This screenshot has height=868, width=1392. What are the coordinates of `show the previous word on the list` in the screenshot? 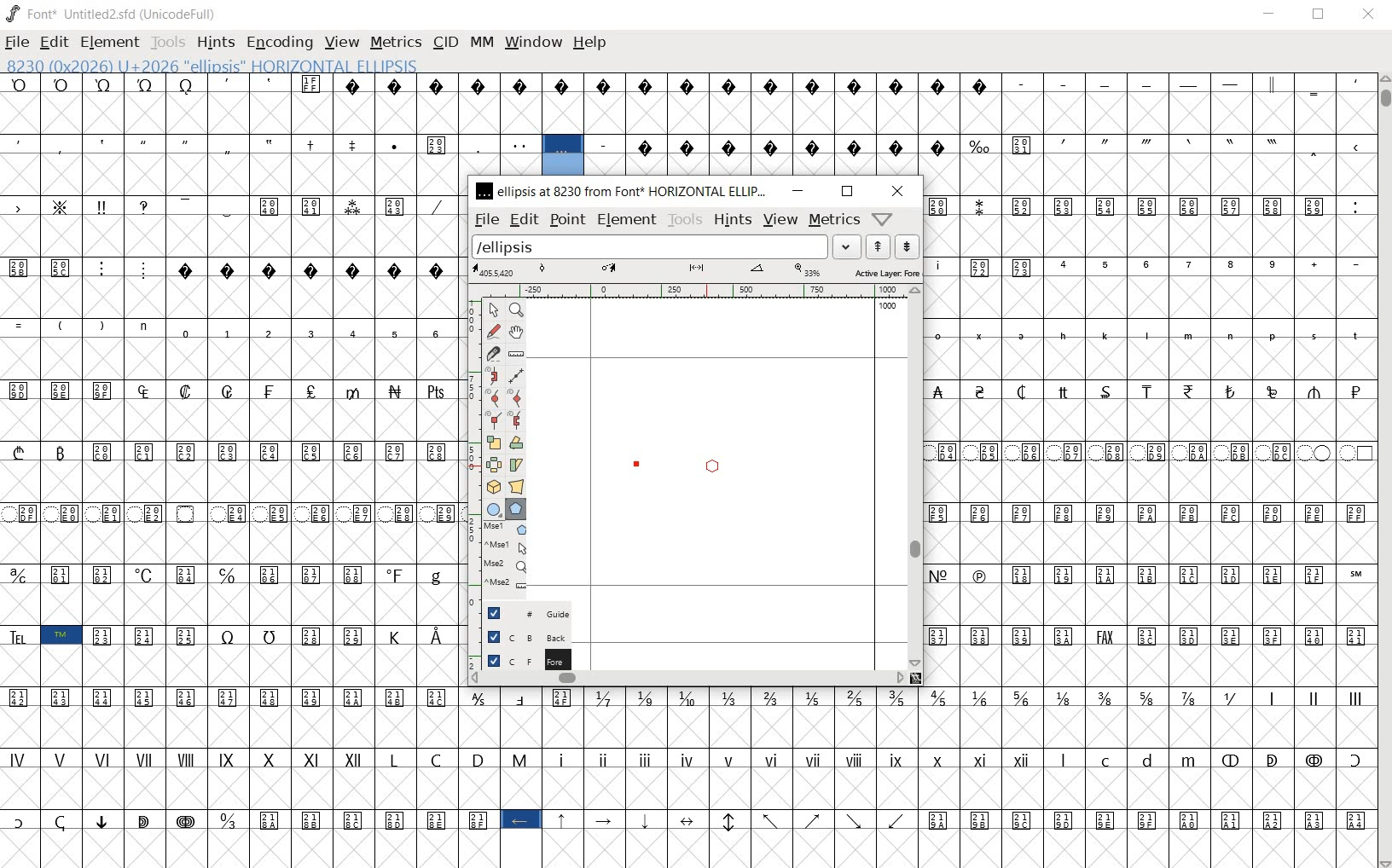 It's located at (907, 246).